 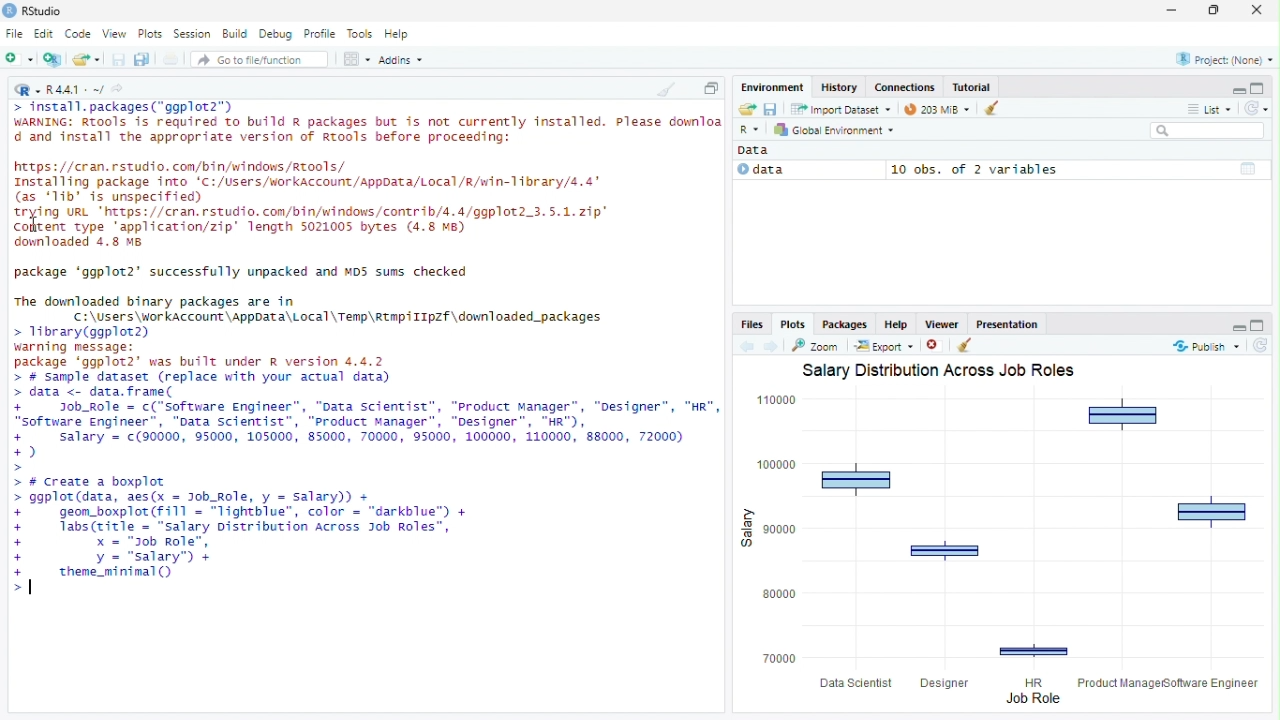 What do you see at coordinates (14, 33) in the screenshot?
I see `File` at bounding box center [14, 33].